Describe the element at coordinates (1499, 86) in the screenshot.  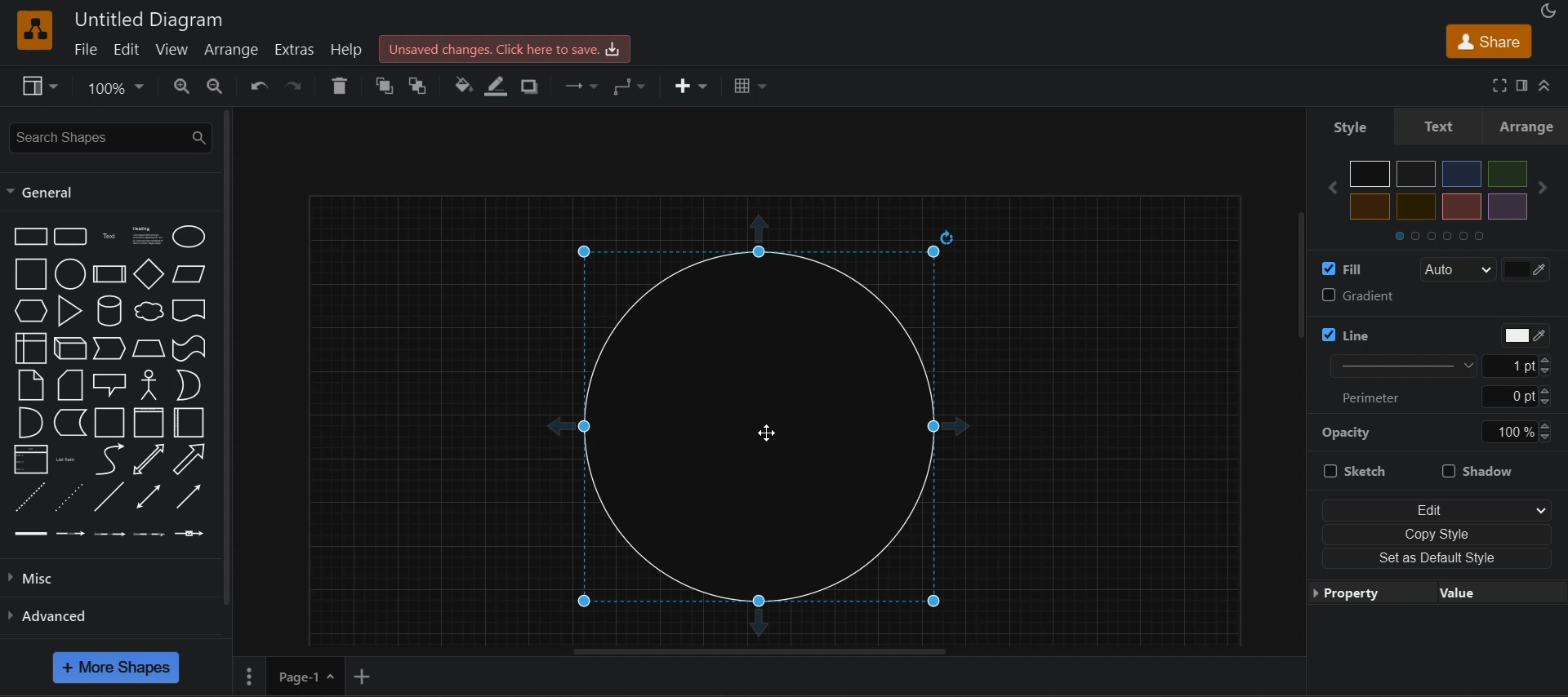
I see `fullscreen` at that location.